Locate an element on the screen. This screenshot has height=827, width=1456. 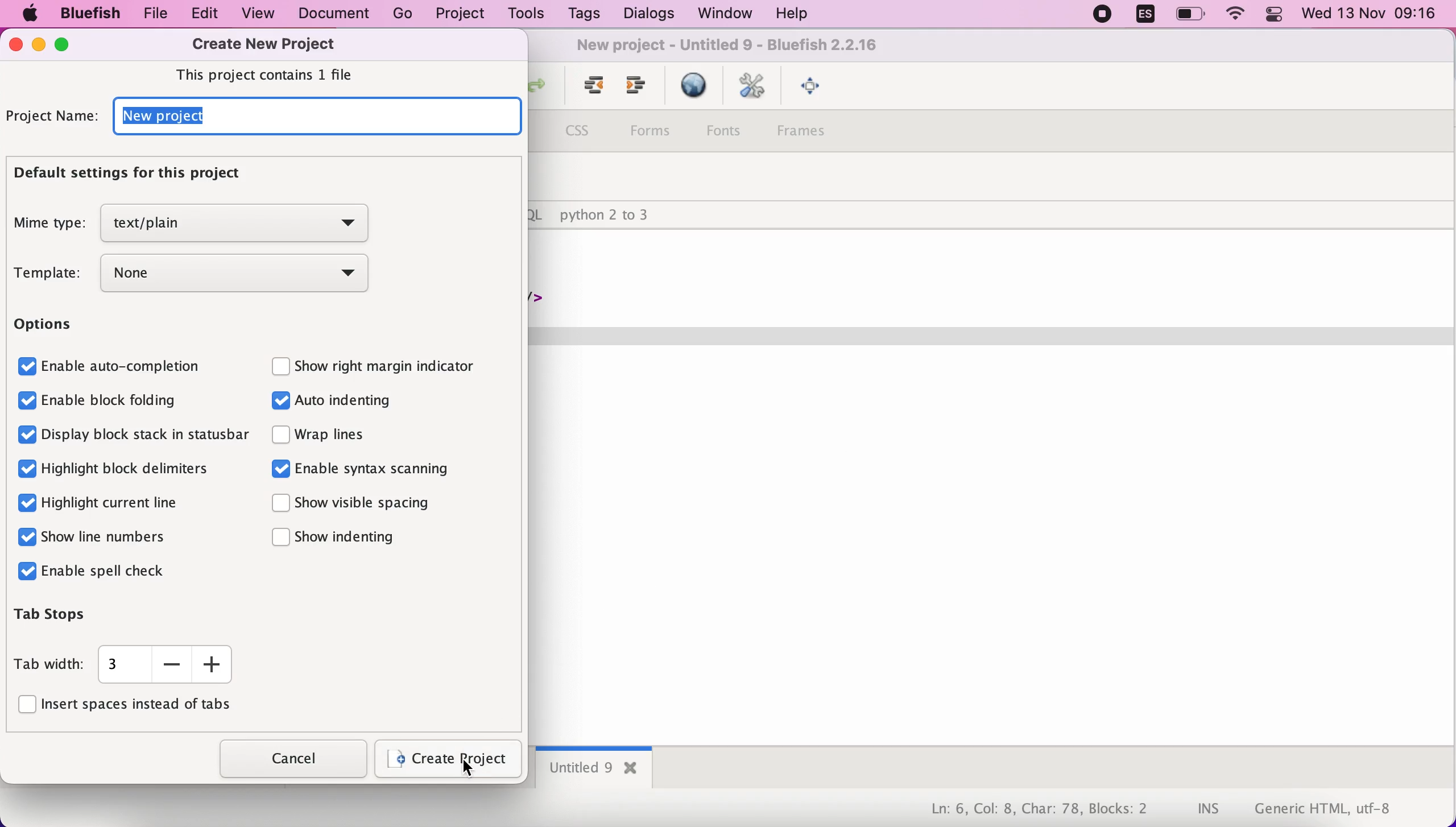
default settings for this projects is located at coordinates (138, 176).